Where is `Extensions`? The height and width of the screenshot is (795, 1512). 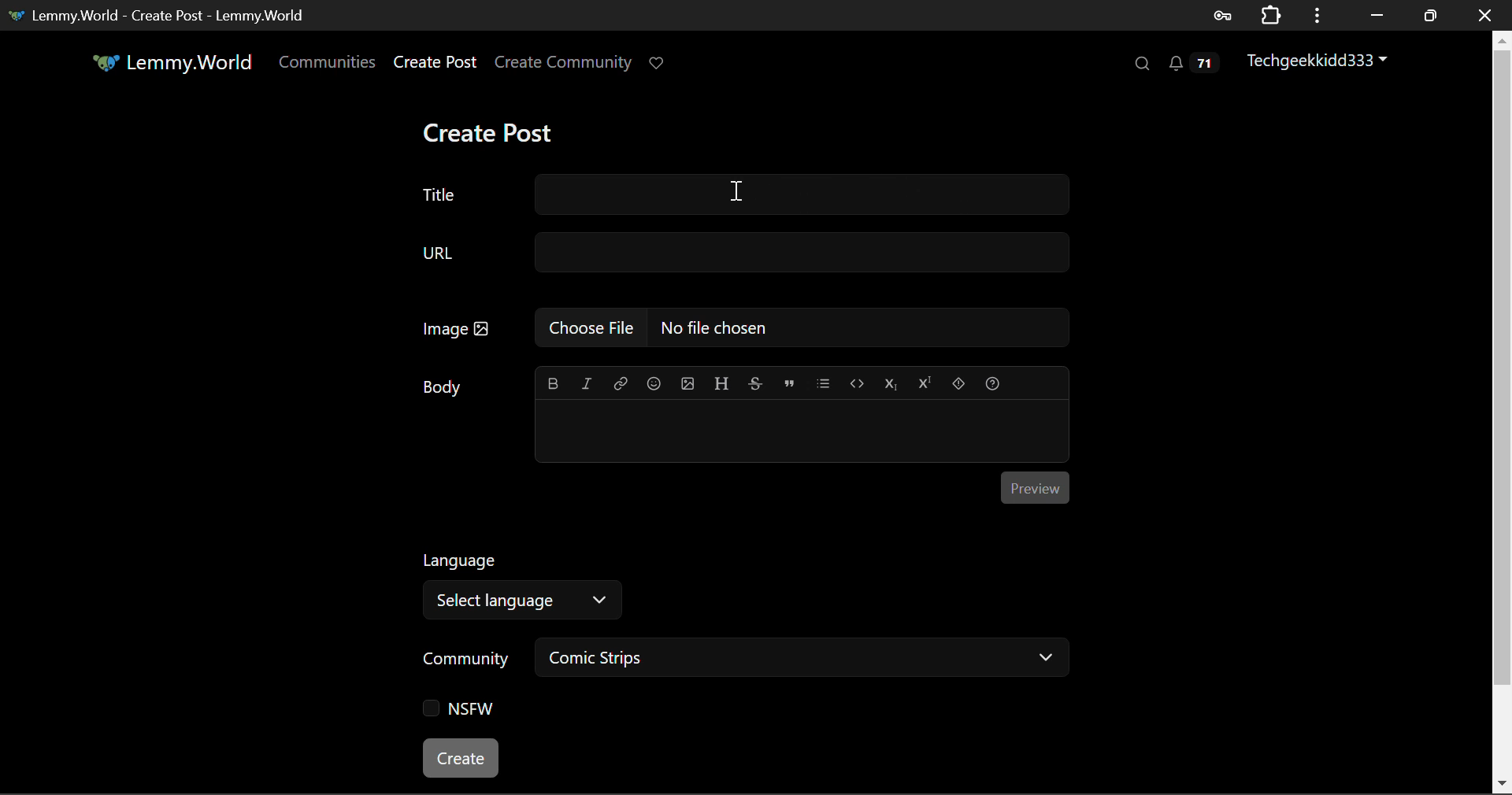
Extensions is located at coordinates (1270, 15).